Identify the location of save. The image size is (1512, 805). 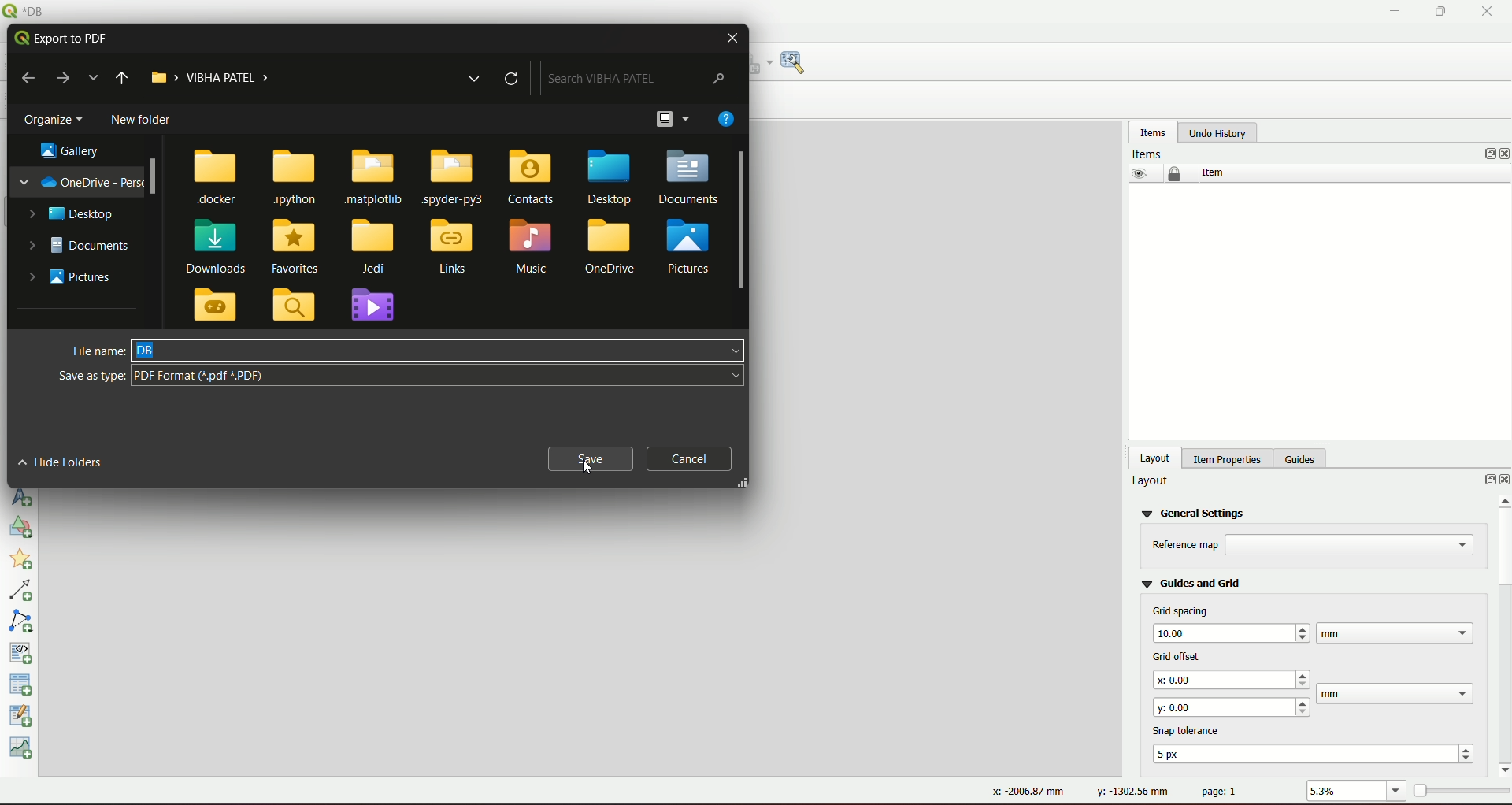
(590, 457).